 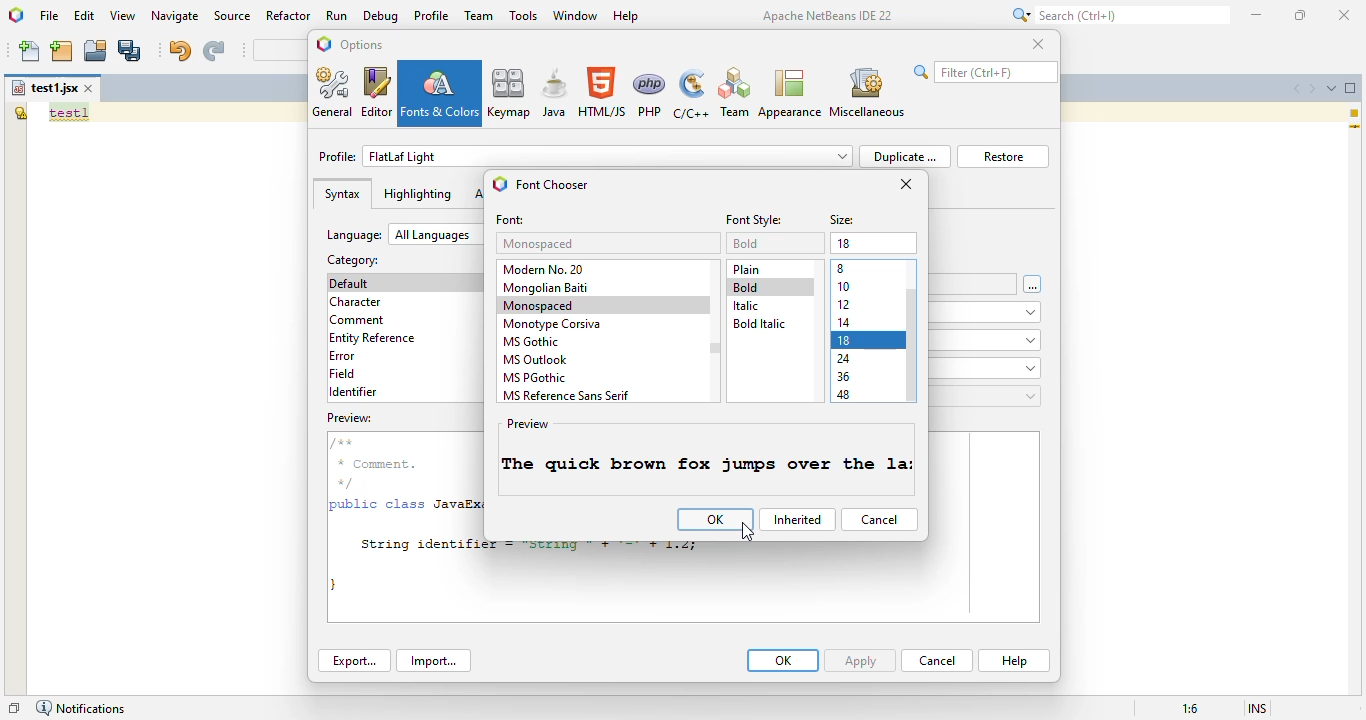 I want to click on MS gothic, so click(x=533, y=341).